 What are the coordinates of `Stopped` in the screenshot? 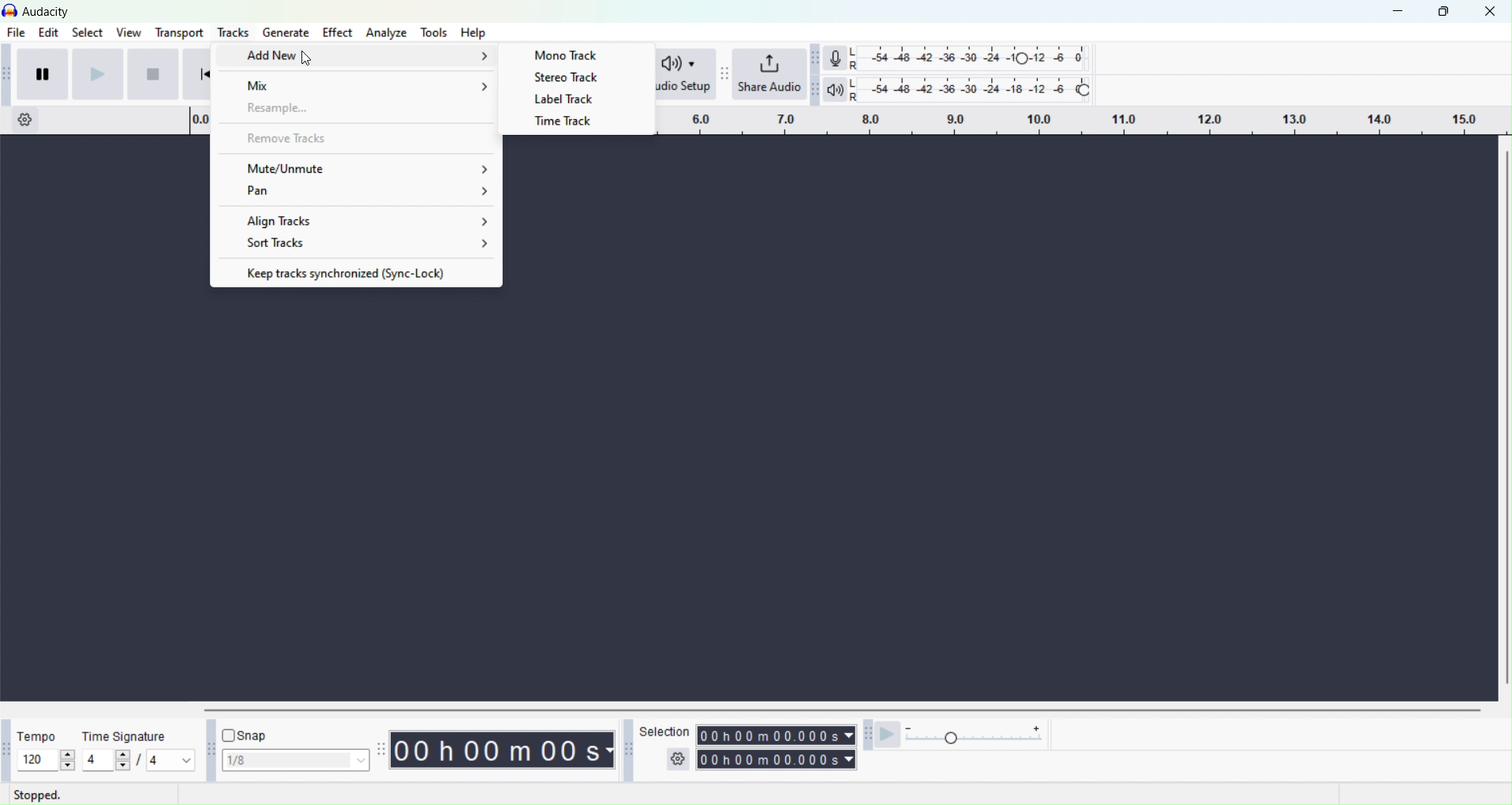 It's located at (43, 795).